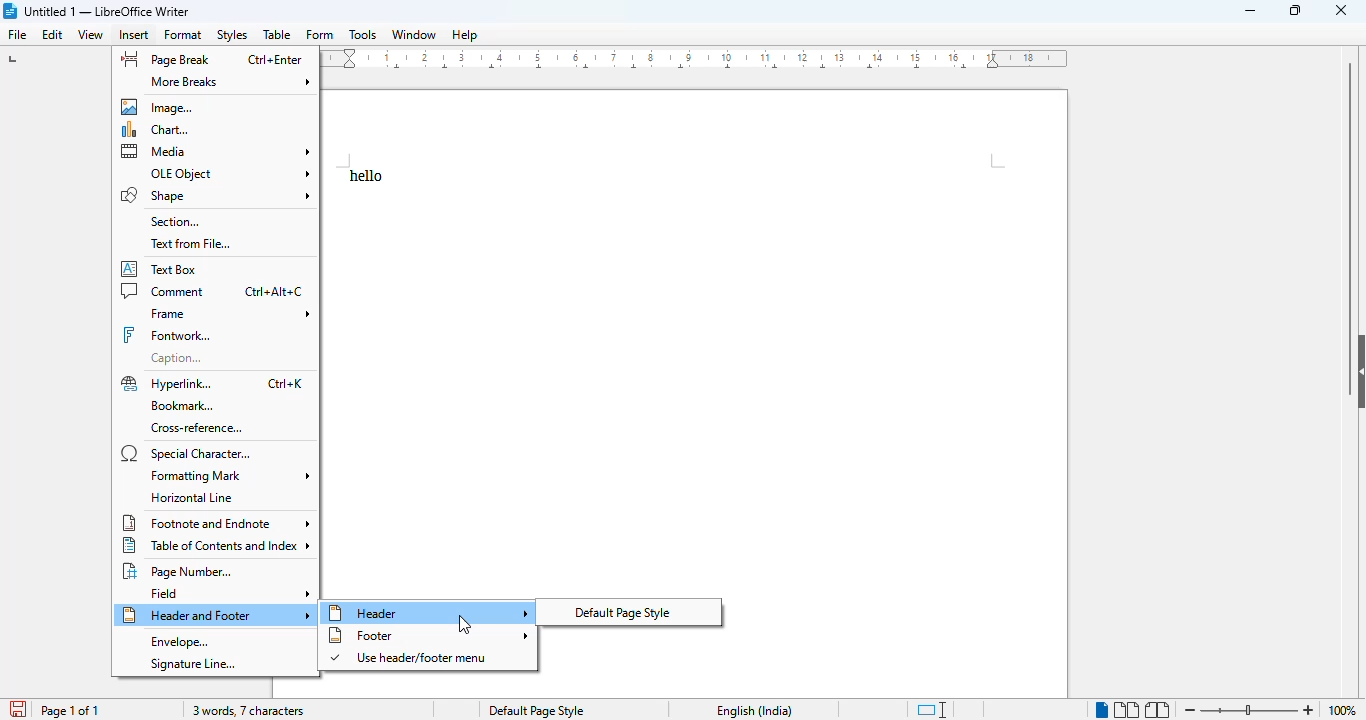  What do you see at coordinates (90, 35) in the screenshot?
I see `view` at bounding box center [90, 35].